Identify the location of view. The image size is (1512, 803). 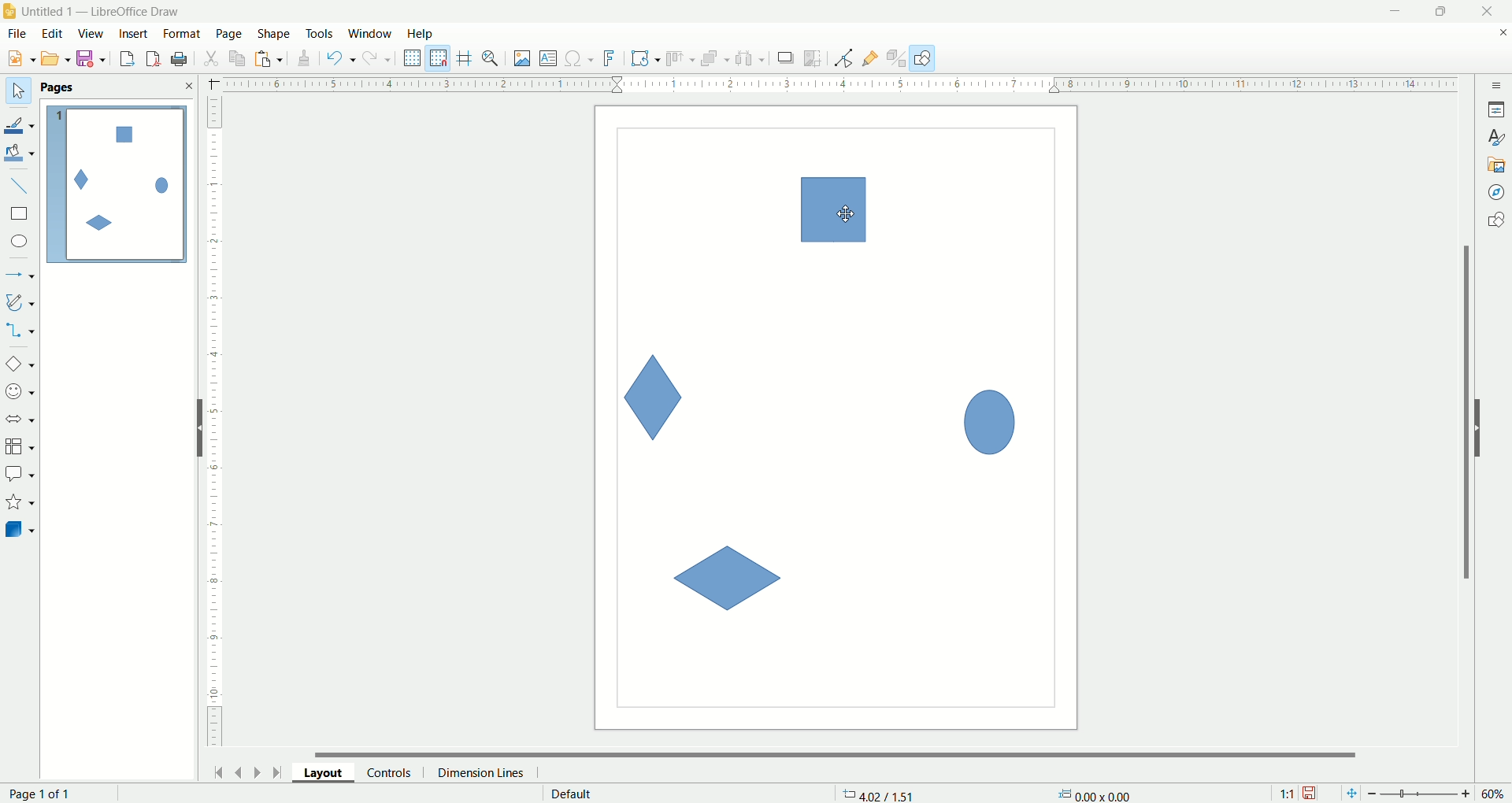
(92, 34).